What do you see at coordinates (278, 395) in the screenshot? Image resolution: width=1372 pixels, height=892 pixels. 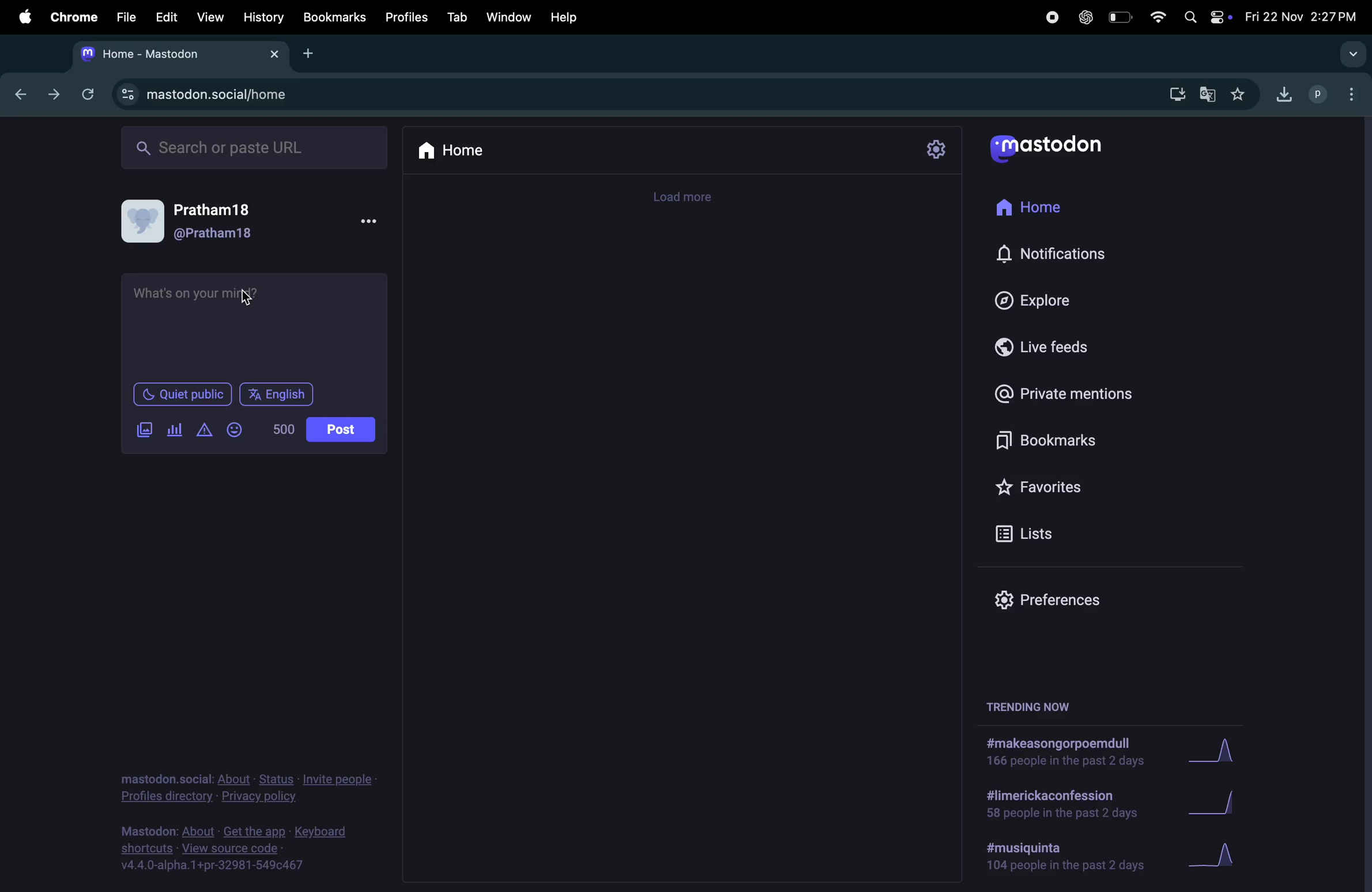 I see `language` at bounding box center [278, 395].